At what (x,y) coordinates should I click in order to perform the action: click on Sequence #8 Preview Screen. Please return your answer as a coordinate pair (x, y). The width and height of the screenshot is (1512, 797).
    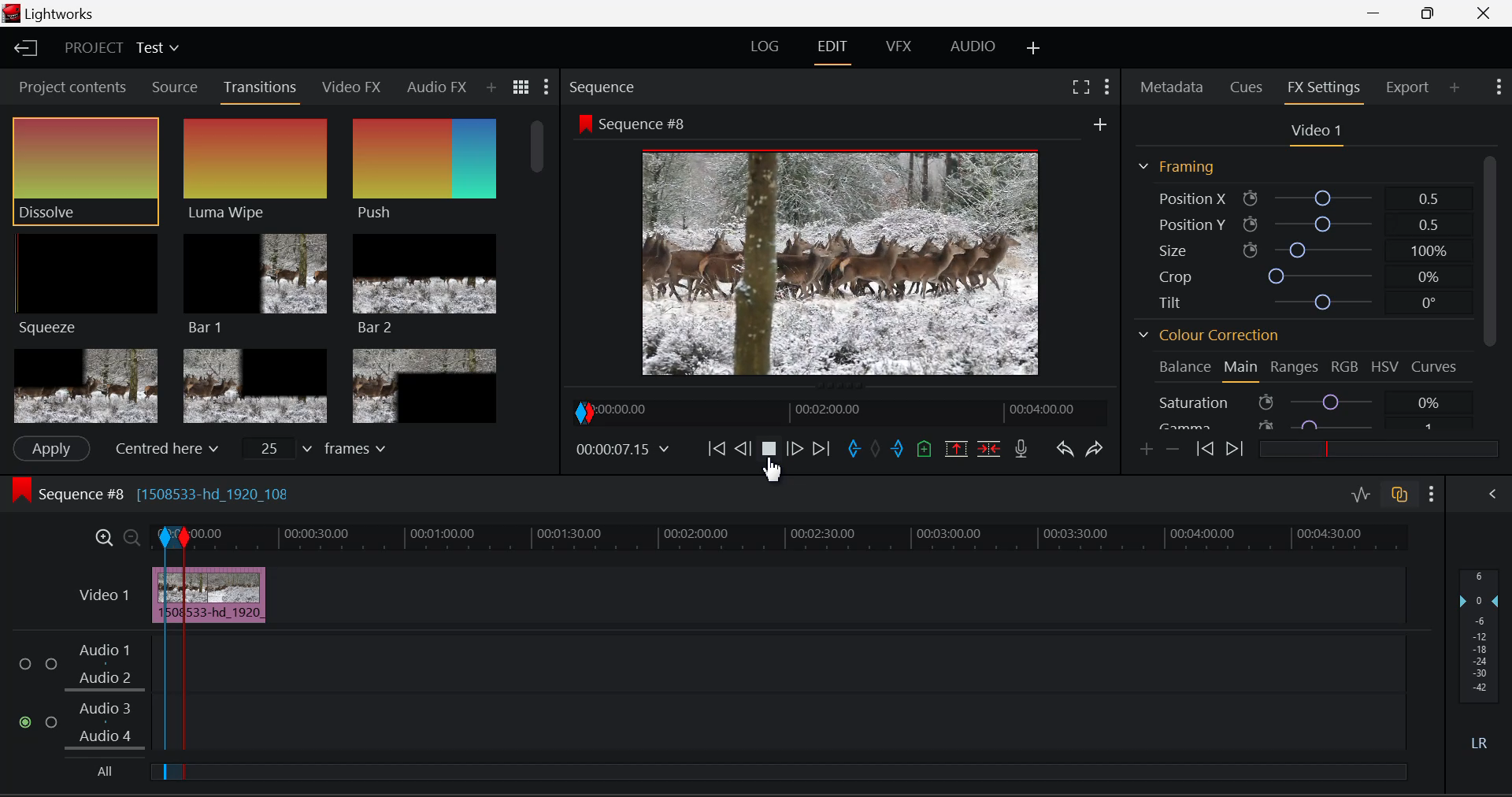
    Looking at the image, I should click on (841, 246).